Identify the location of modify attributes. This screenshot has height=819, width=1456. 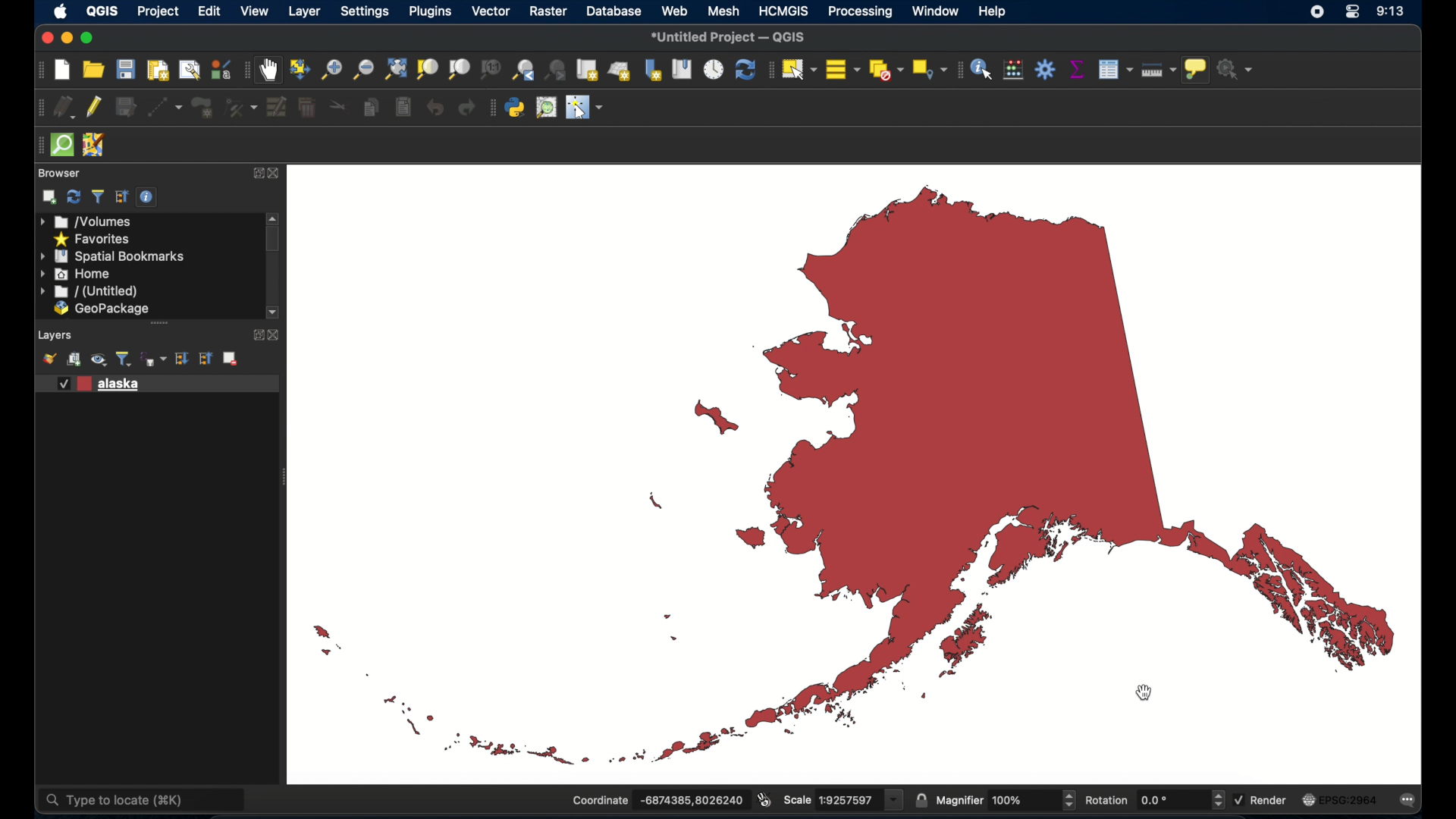
(276, 107).